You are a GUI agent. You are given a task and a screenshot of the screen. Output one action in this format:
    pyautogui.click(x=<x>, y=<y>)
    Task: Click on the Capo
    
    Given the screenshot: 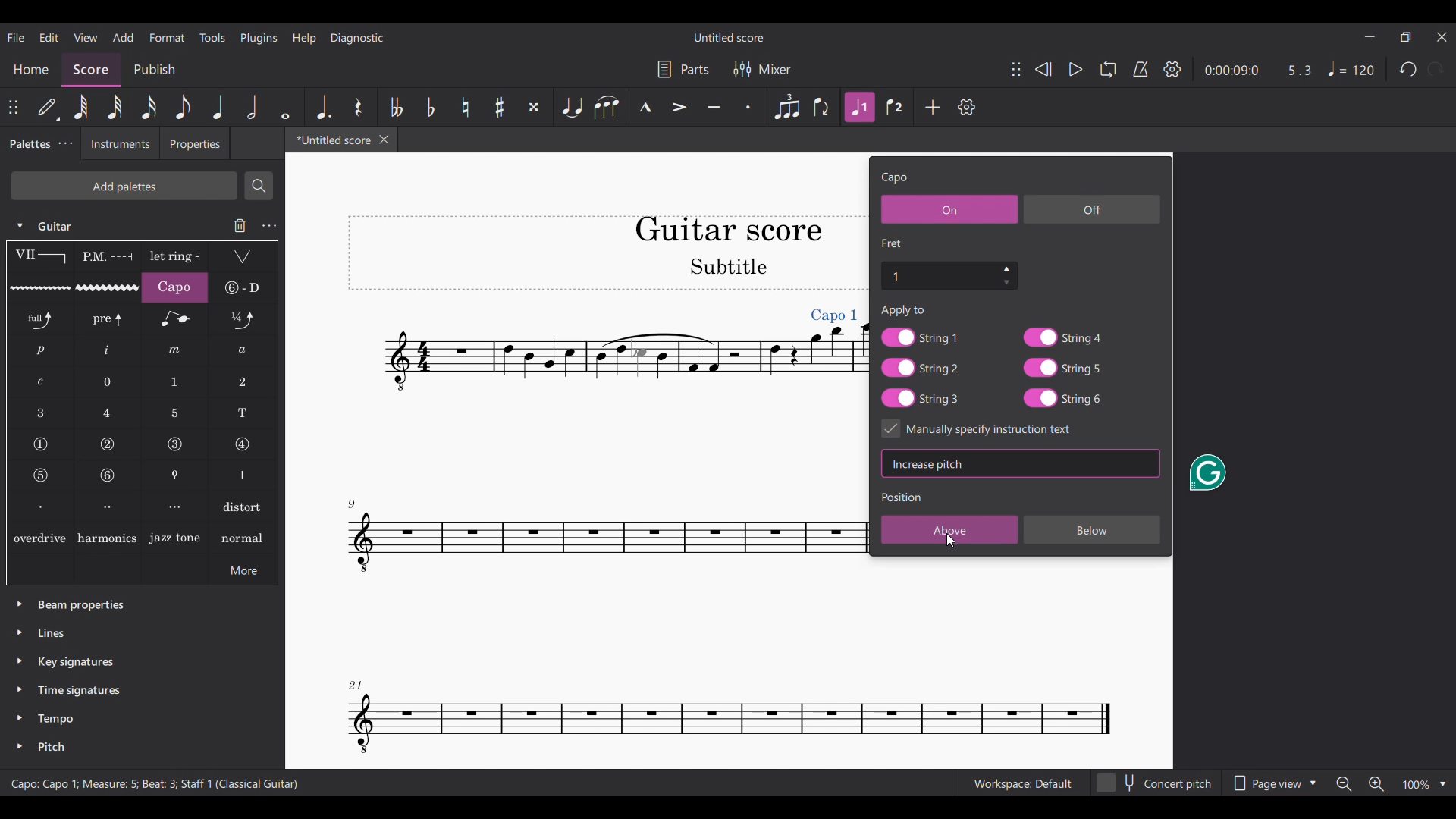 What is the action you would take?
    pyautogui.click(x=174, y=287)
    